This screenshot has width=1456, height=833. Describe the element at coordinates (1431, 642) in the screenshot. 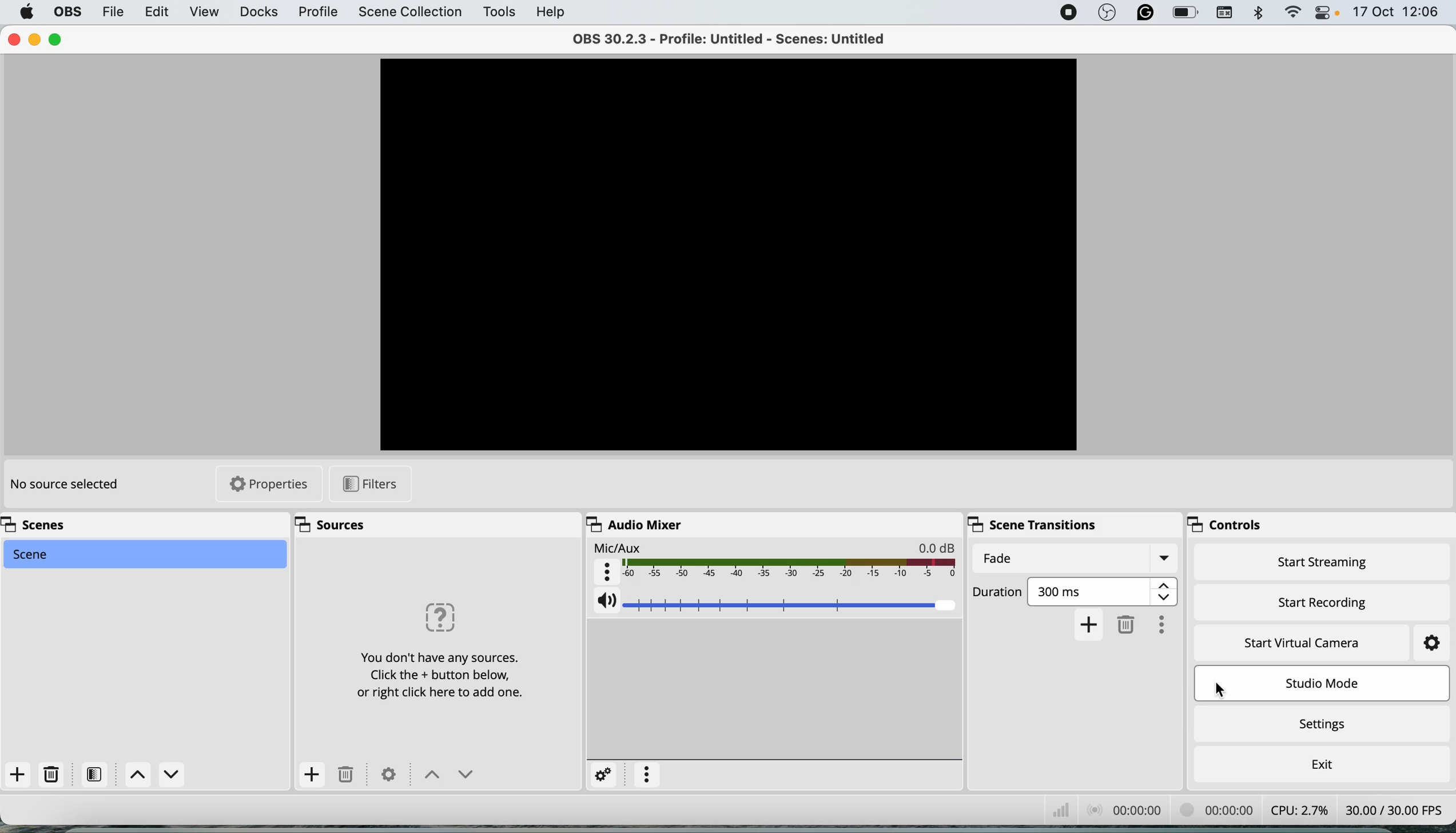

I see `settings` at that location.